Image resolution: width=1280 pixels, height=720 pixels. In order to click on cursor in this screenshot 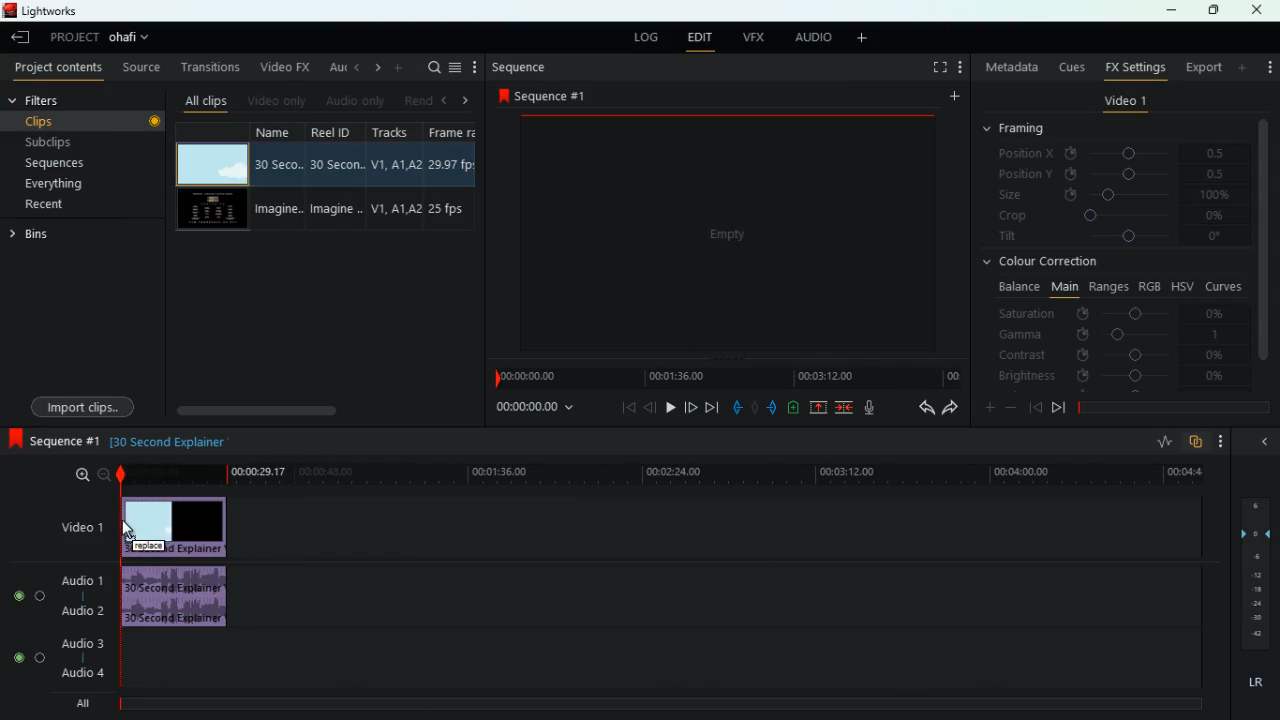, I will do `click(129, 530)`.